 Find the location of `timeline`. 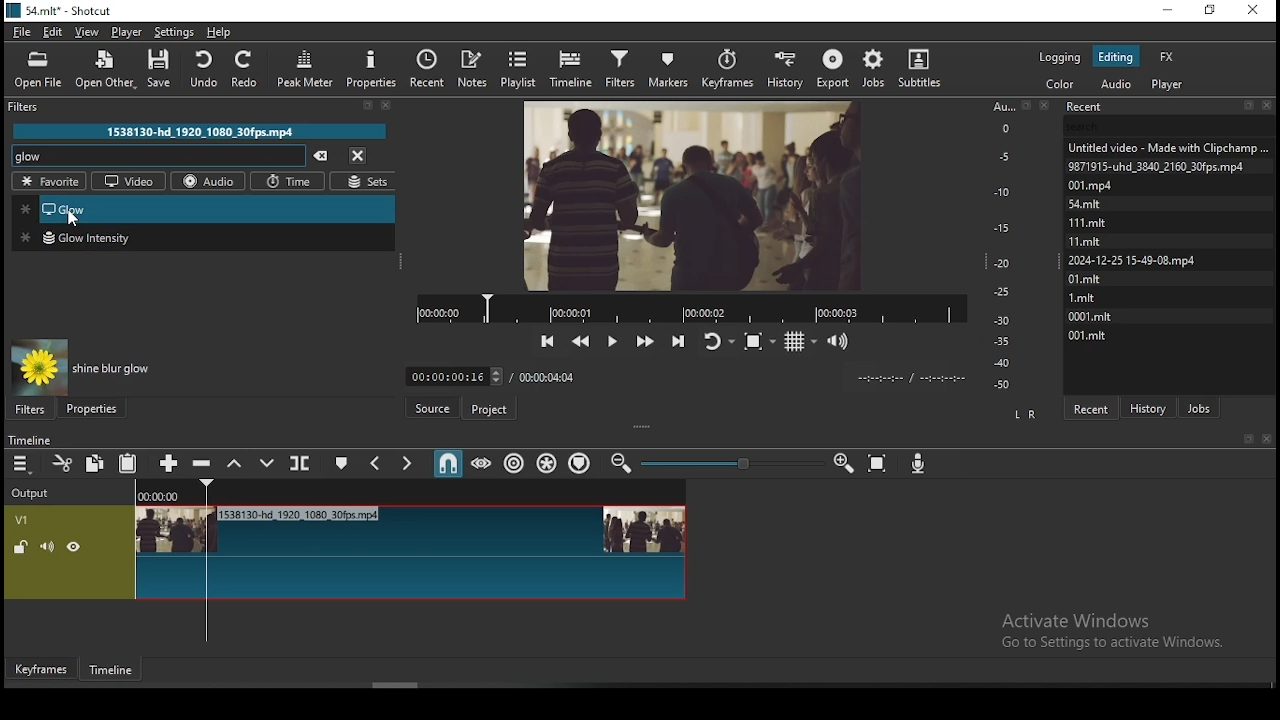

timeline is located at coordinates (574, 66).